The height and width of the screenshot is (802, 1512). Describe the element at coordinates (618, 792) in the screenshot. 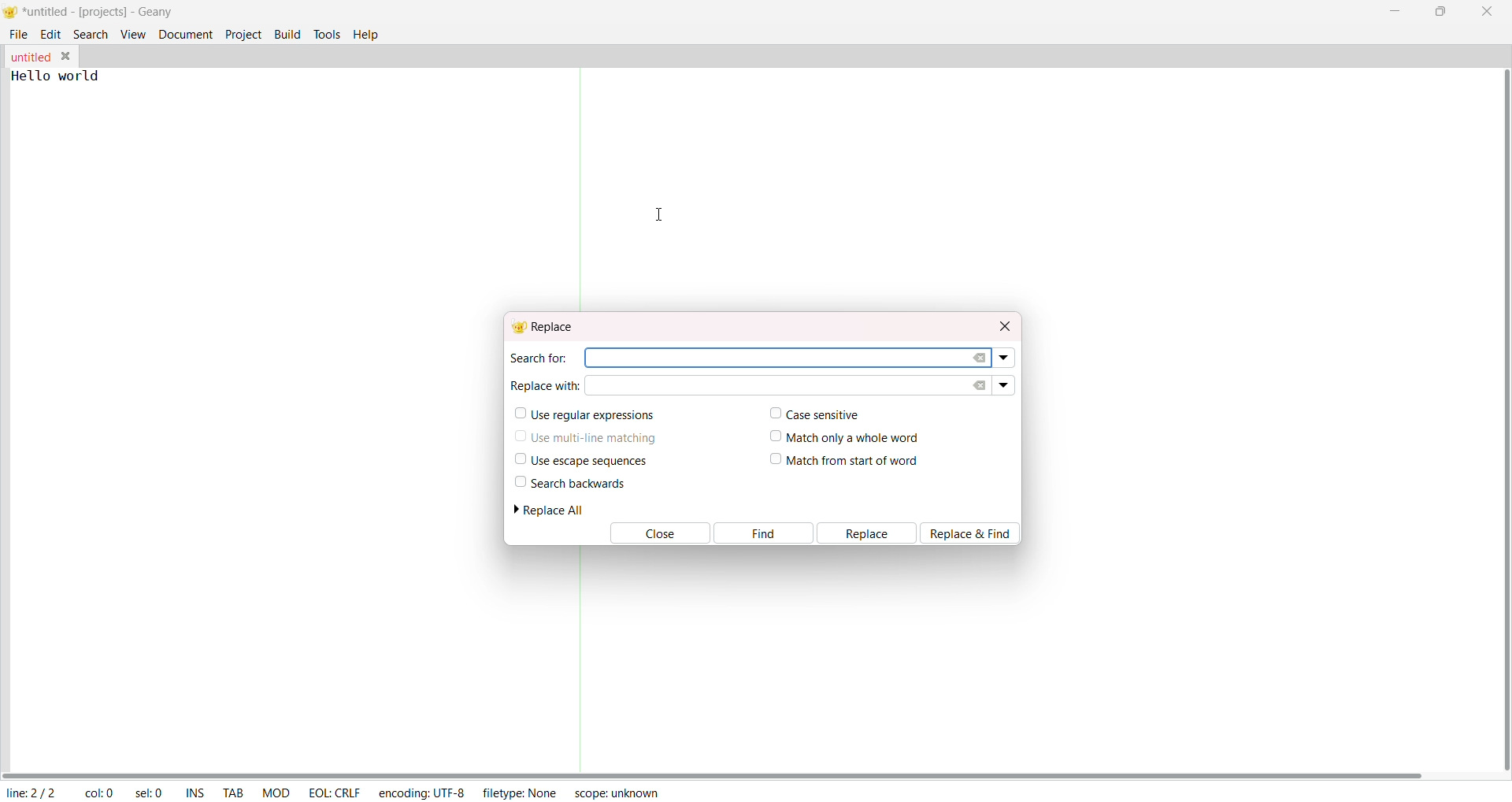

I see `scope: unknown` at that location.